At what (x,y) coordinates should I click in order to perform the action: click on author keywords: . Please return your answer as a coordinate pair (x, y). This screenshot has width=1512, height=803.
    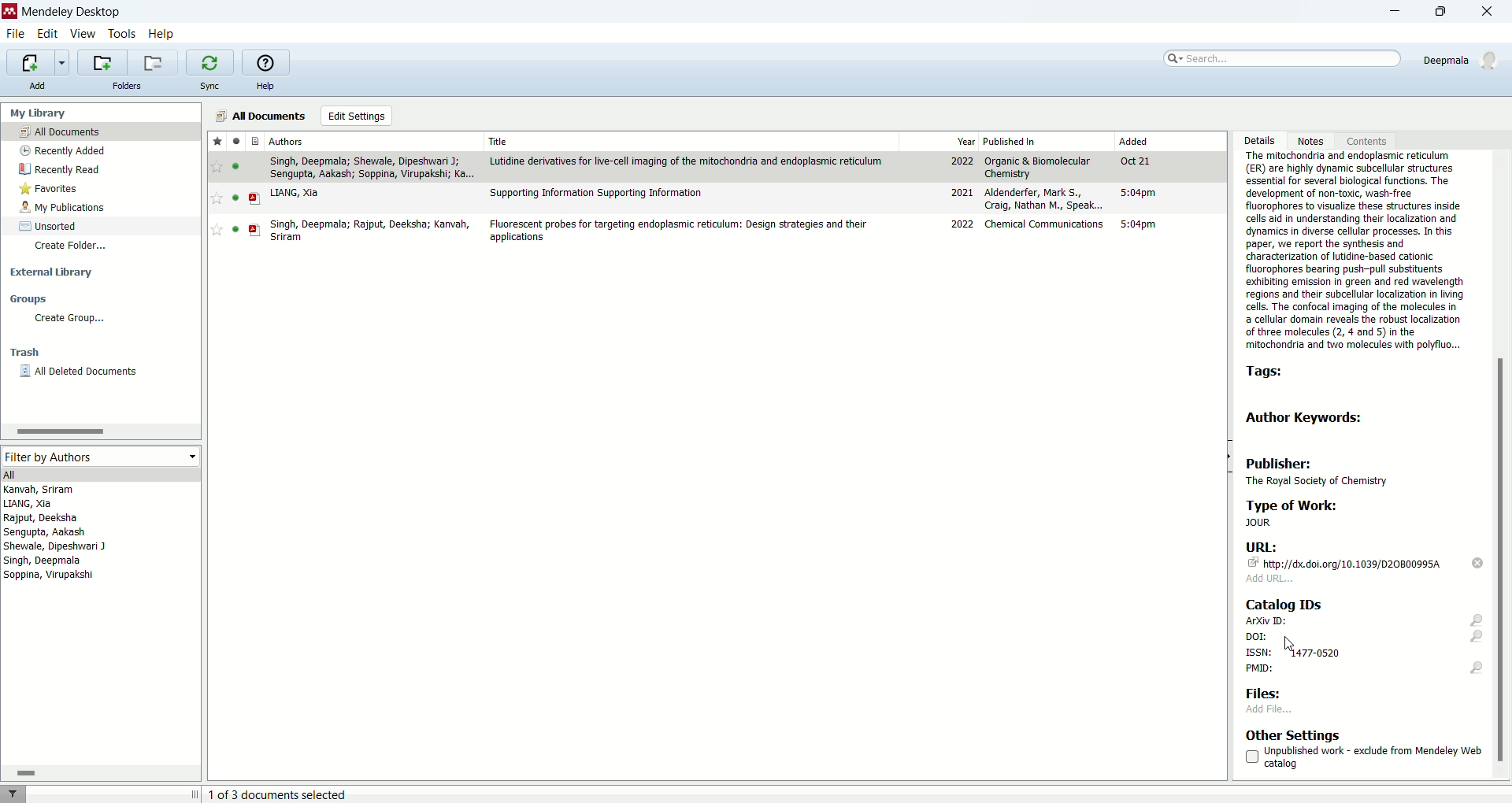
    Looking at the image, I should click on (1308, 417).